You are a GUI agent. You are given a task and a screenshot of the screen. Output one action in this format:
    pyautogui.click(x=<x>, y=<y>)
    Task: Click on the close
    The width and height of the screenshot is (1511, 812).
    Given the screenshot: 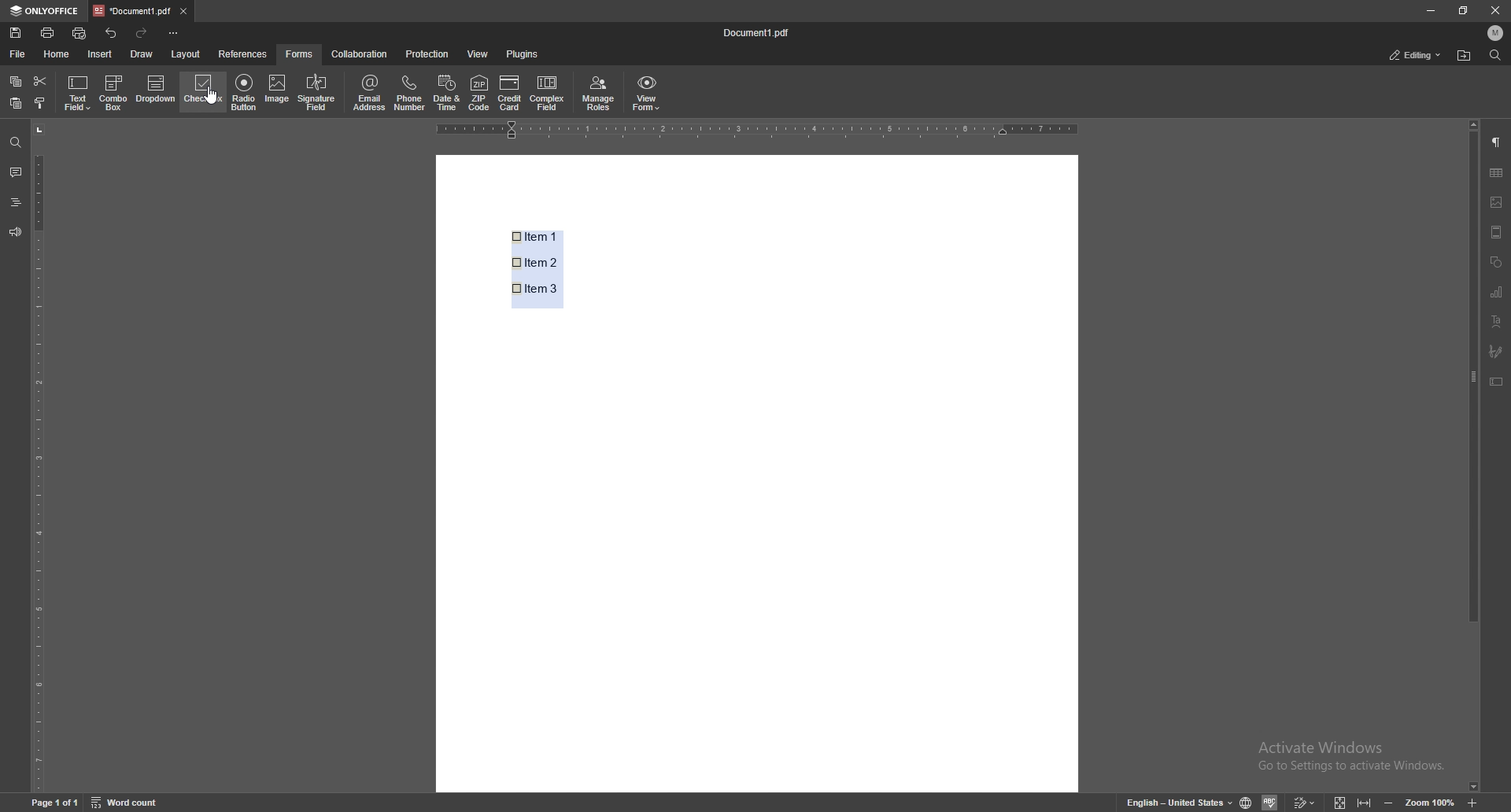 What is the action you would take?
    pyautogui.click(x=1494, y=10)
    